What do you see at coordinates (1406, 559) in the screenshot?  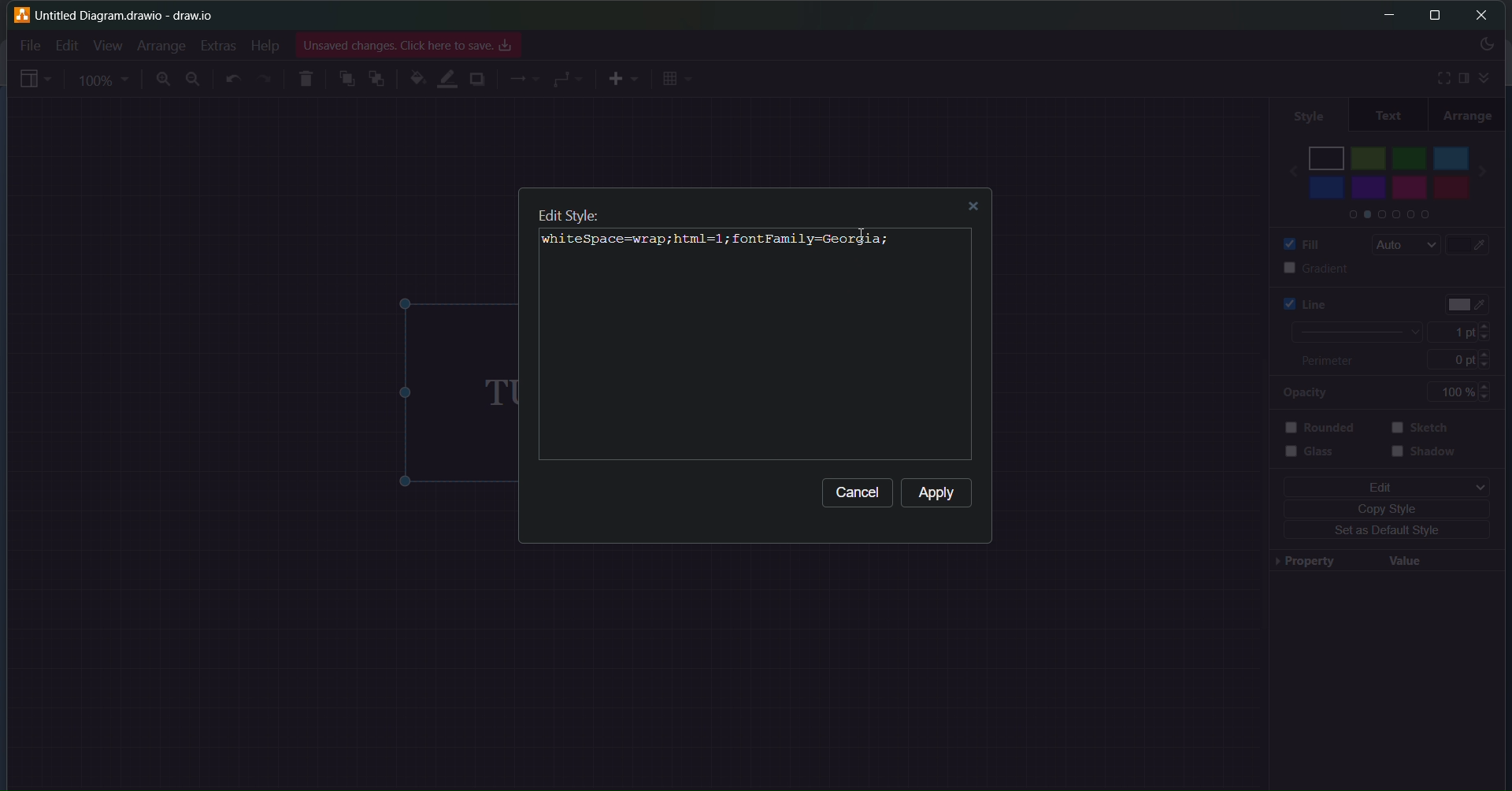 I see `value` at bounding box center [1406, 559].